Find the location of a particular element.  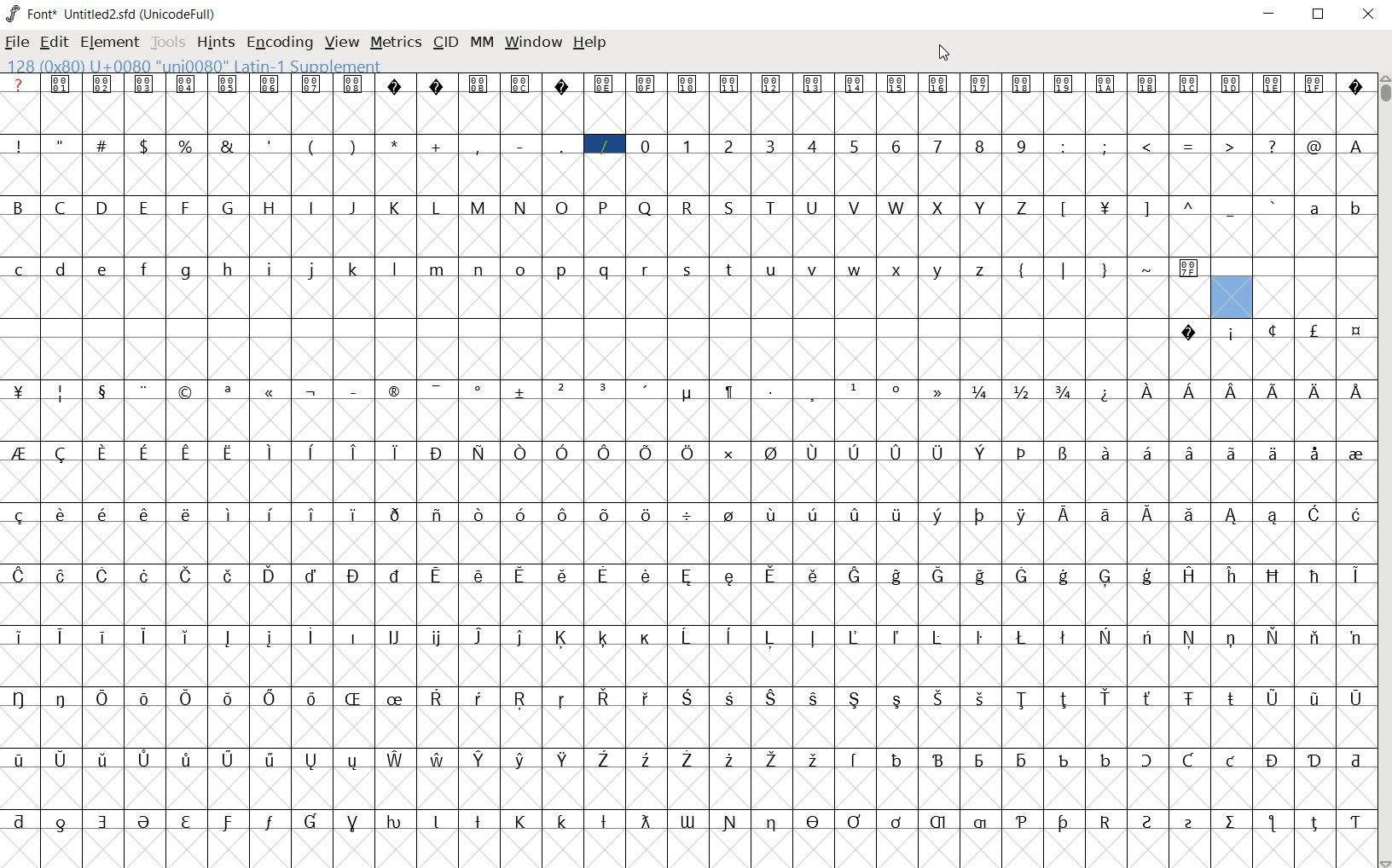

glyph is located at coordinates (1149, 269).